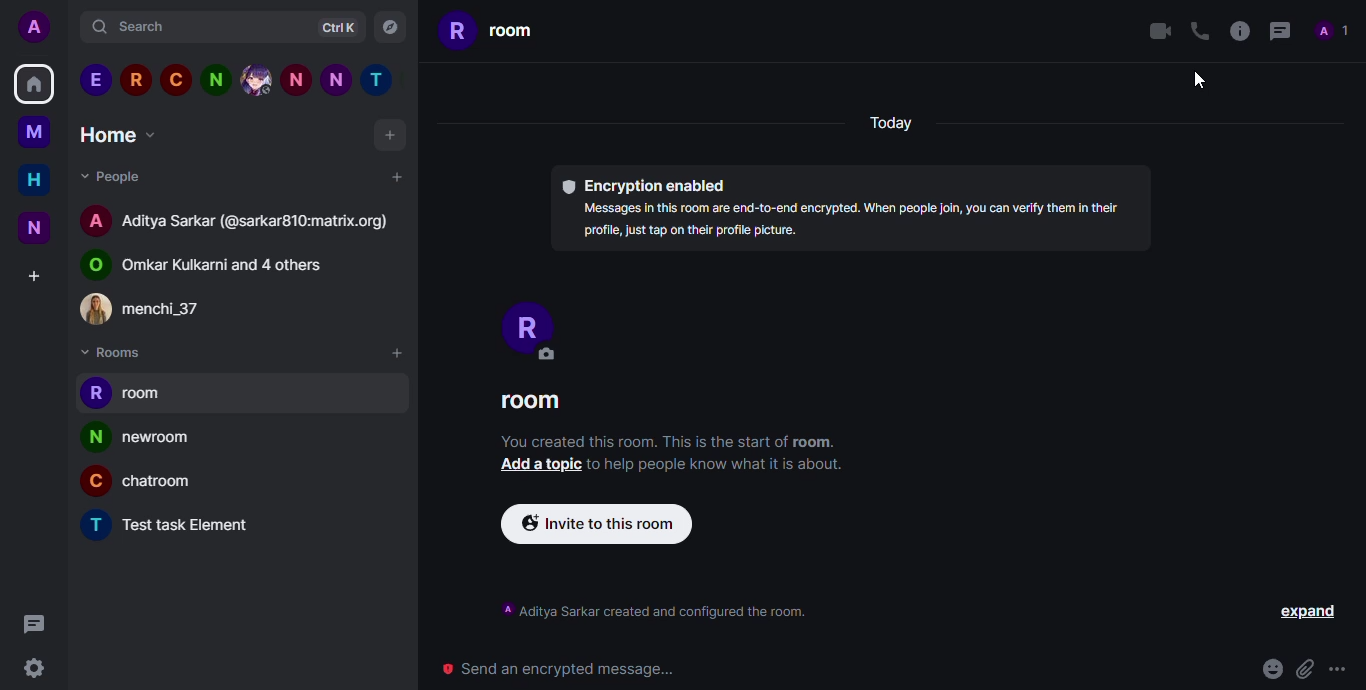 Image resolution: width=1366 pixels, height=690 pixels. What do you see at coordinates (389, 26) in the screenshot?
I see `Explore rooms` at bounding box center [389, 26].